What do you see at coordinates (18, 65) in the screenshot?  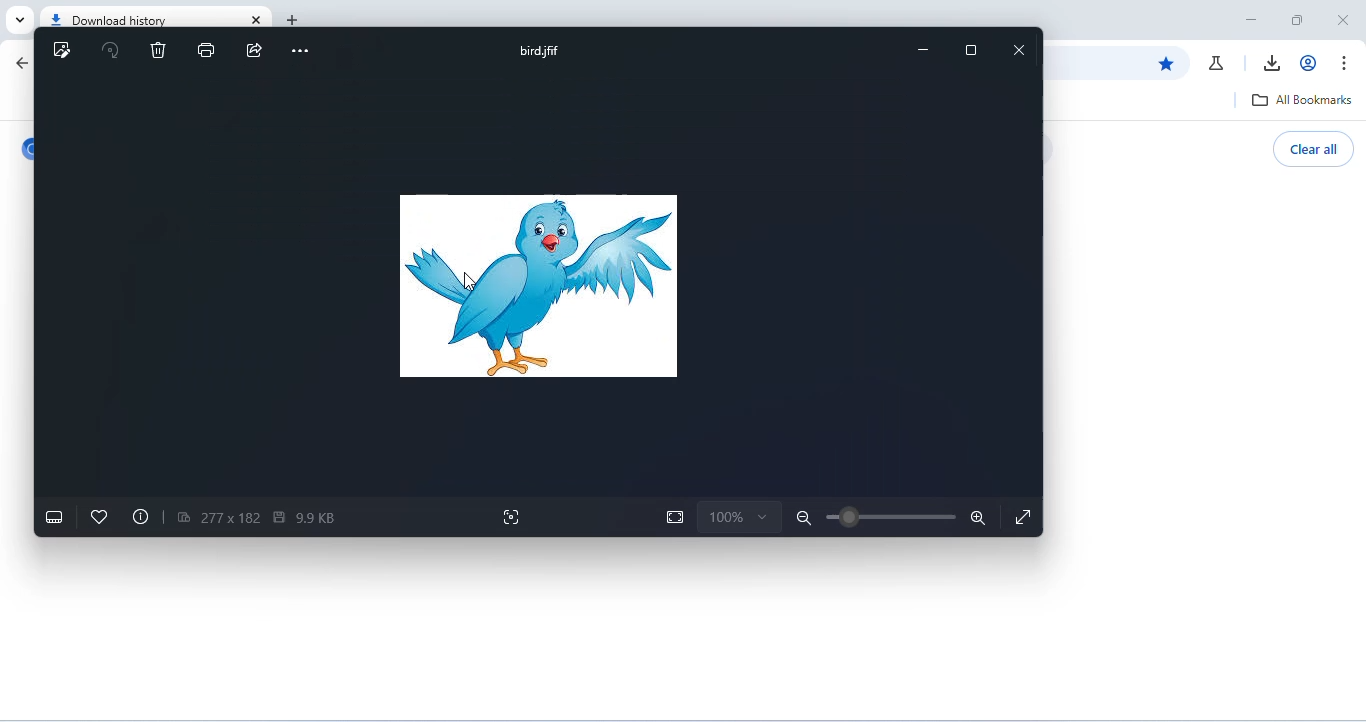 I see `go back` at bounding box center [18, 65].